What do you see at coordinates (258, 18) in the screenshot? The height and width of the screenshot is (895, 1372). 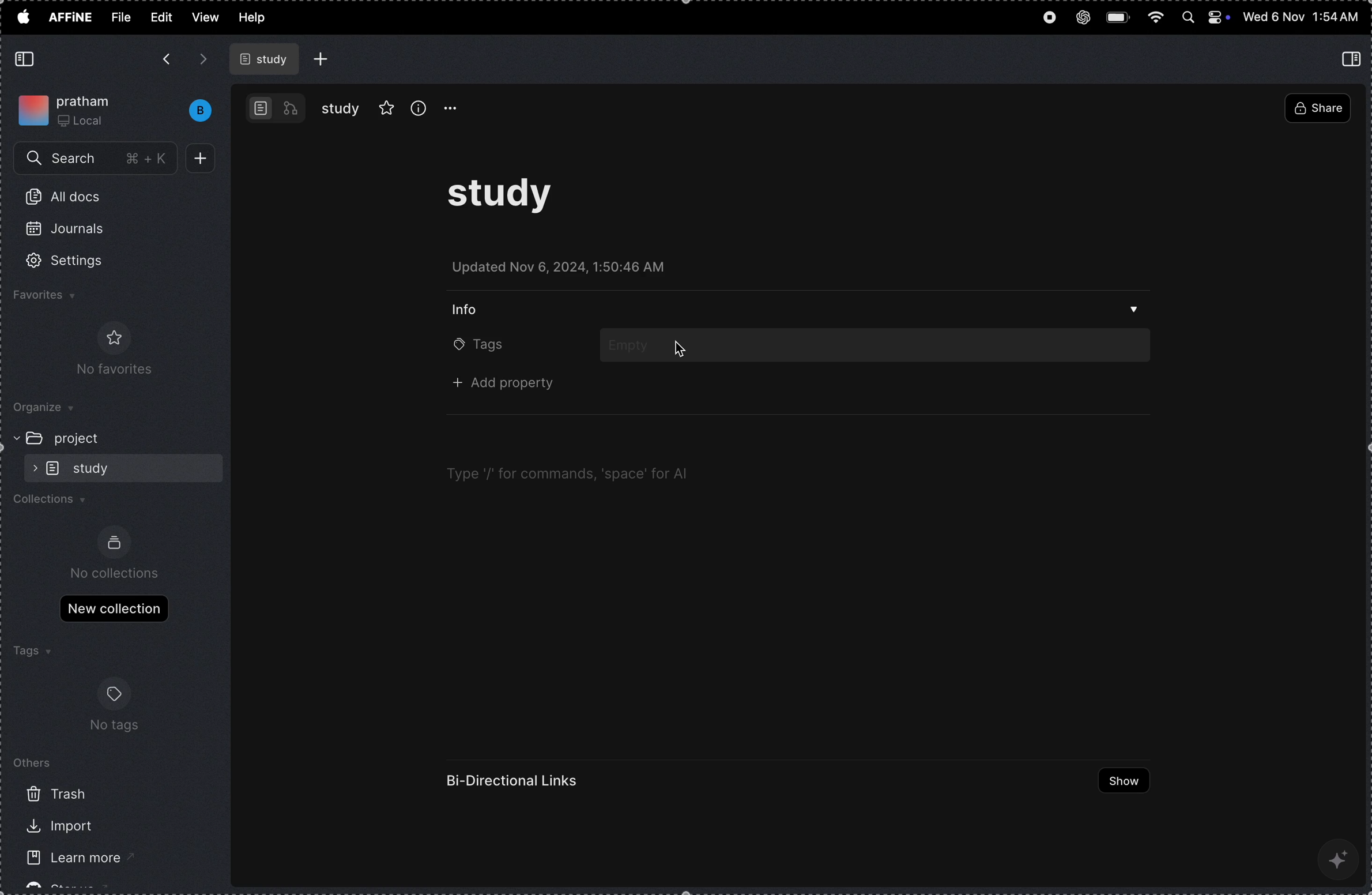 I see `help` at bounding box center [258, 18].